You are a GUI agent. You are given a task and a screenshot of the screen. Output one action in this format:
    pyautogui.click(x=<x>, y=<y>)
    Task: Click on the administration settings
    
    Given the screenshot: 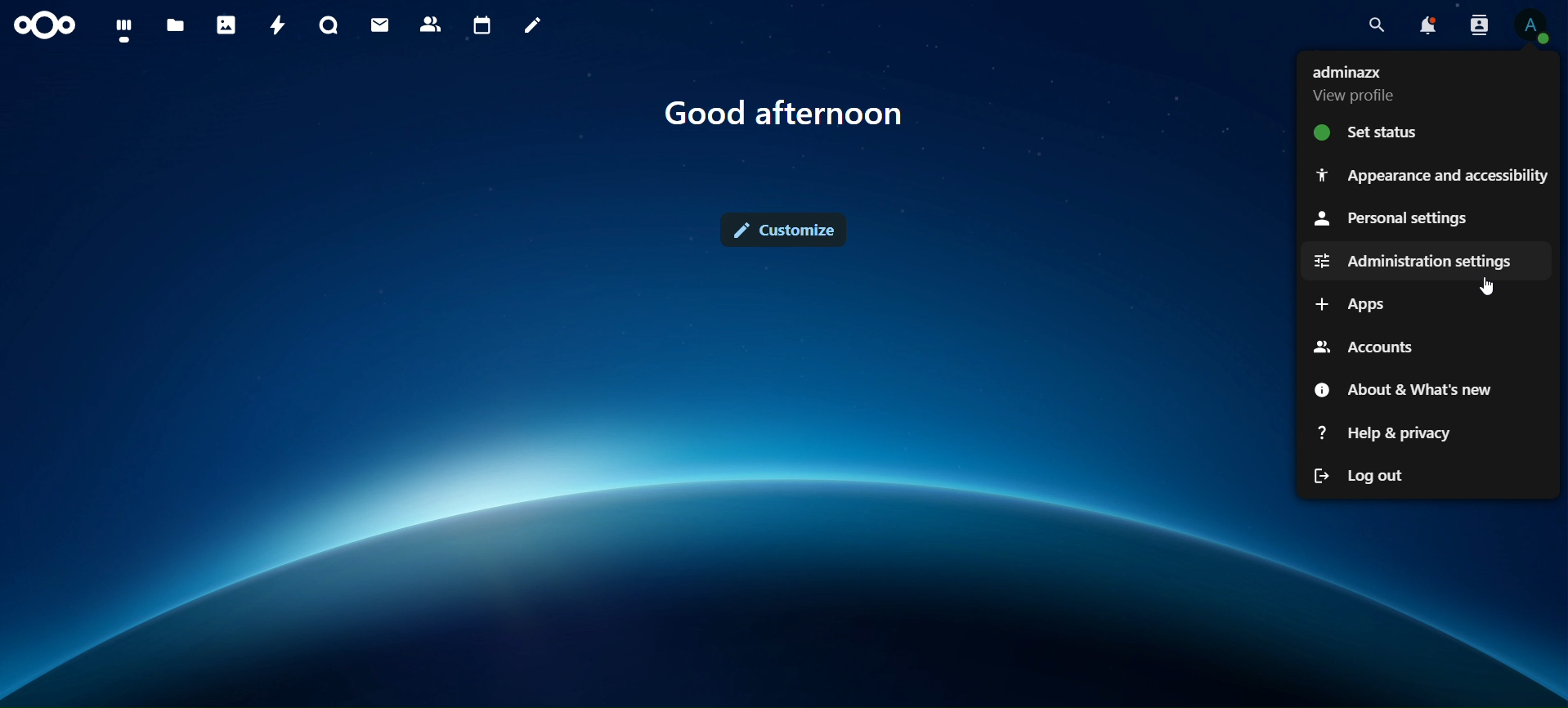 What is the action you would take?
    pyautogui.click(x=1412, y=261)
    